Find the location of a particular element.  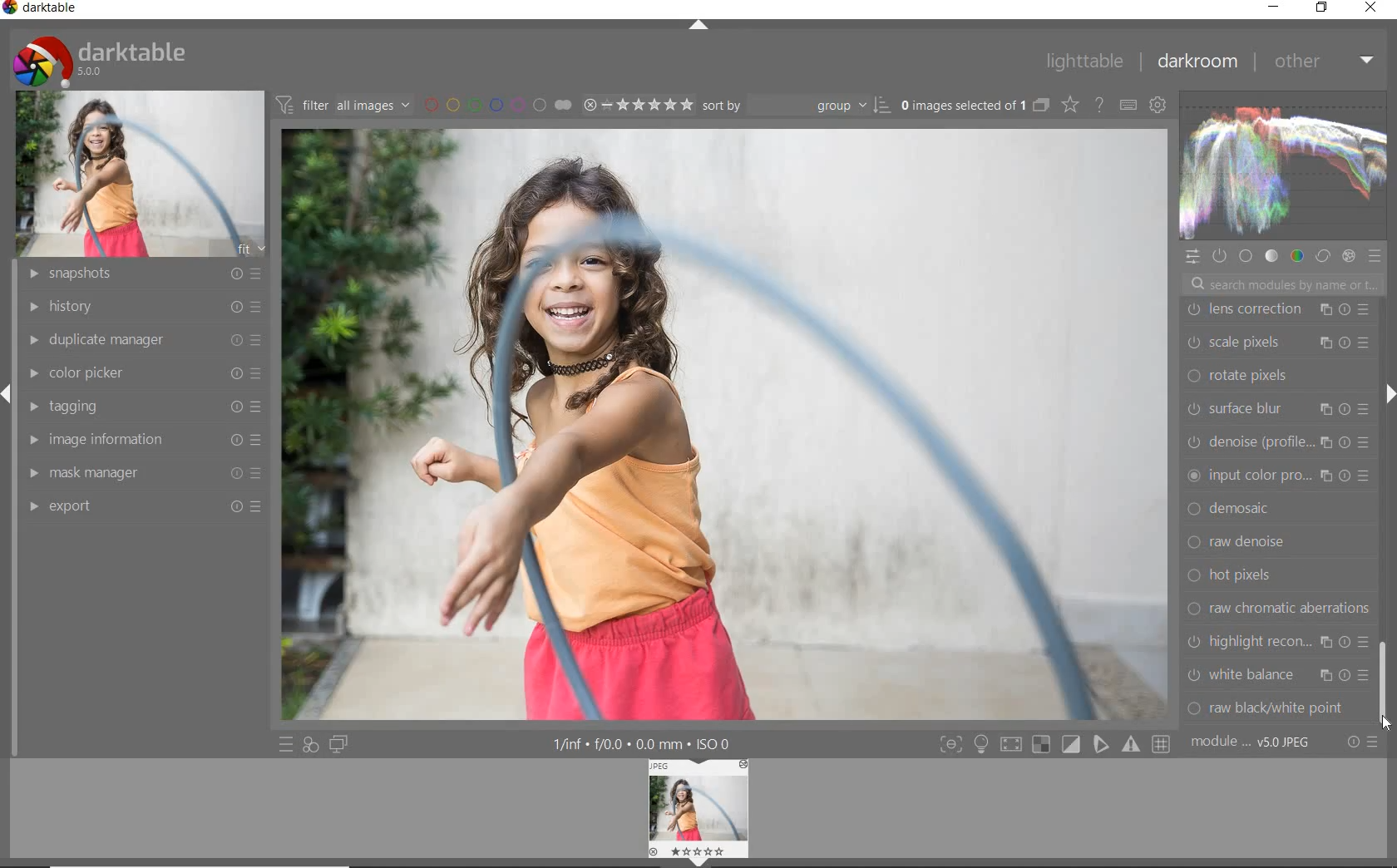

define keyboard shortcut is located at coordinates (1128, 105).